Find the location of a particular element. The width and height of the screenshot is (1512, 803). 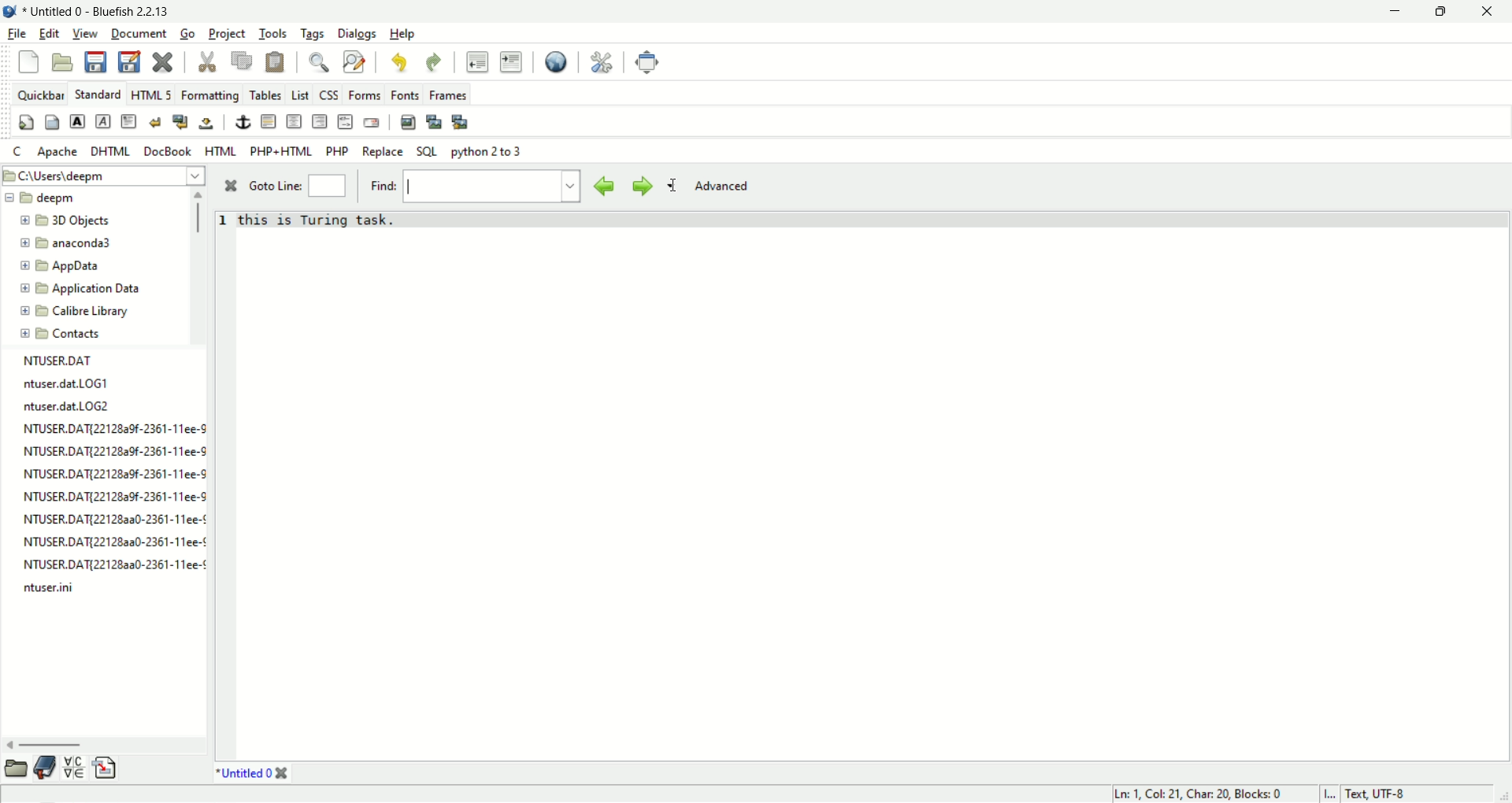

preferences is located at coordinates (602, 62).